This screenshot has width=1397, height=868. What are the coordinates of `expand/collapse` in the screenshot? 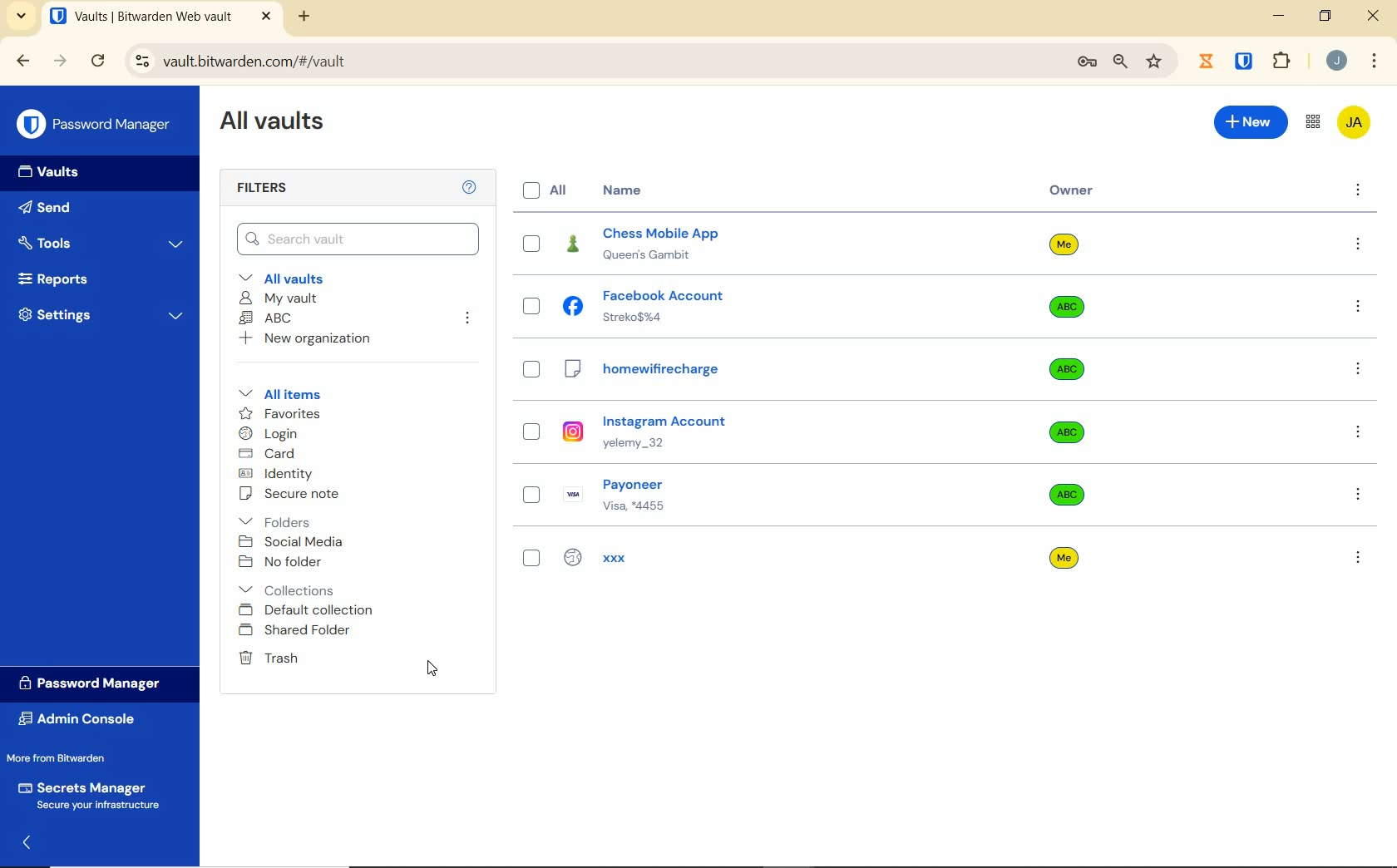 It's located at (27, 842).